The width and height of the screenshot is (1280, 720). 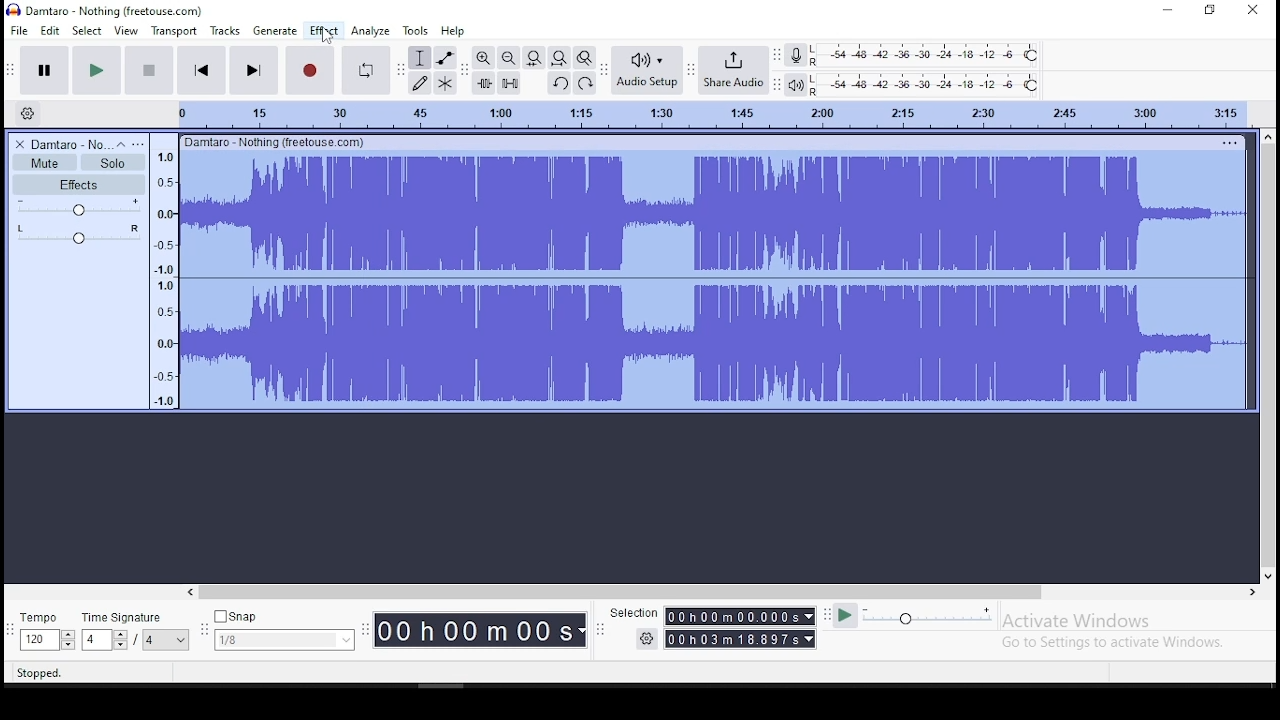 I want to click on delete track, so click(x=20, y=143).